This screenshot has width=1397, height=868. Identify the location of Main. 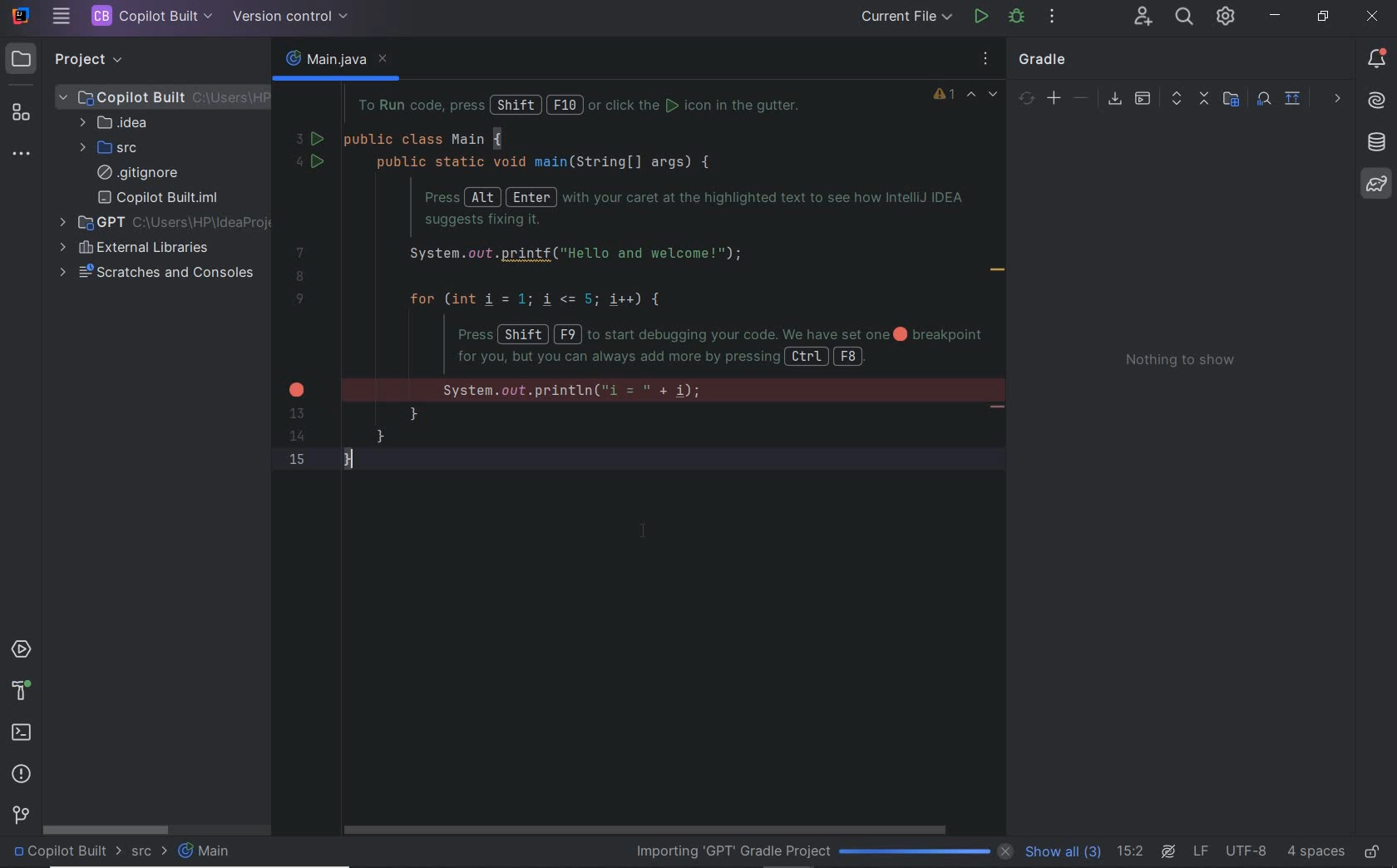
(205, 851).